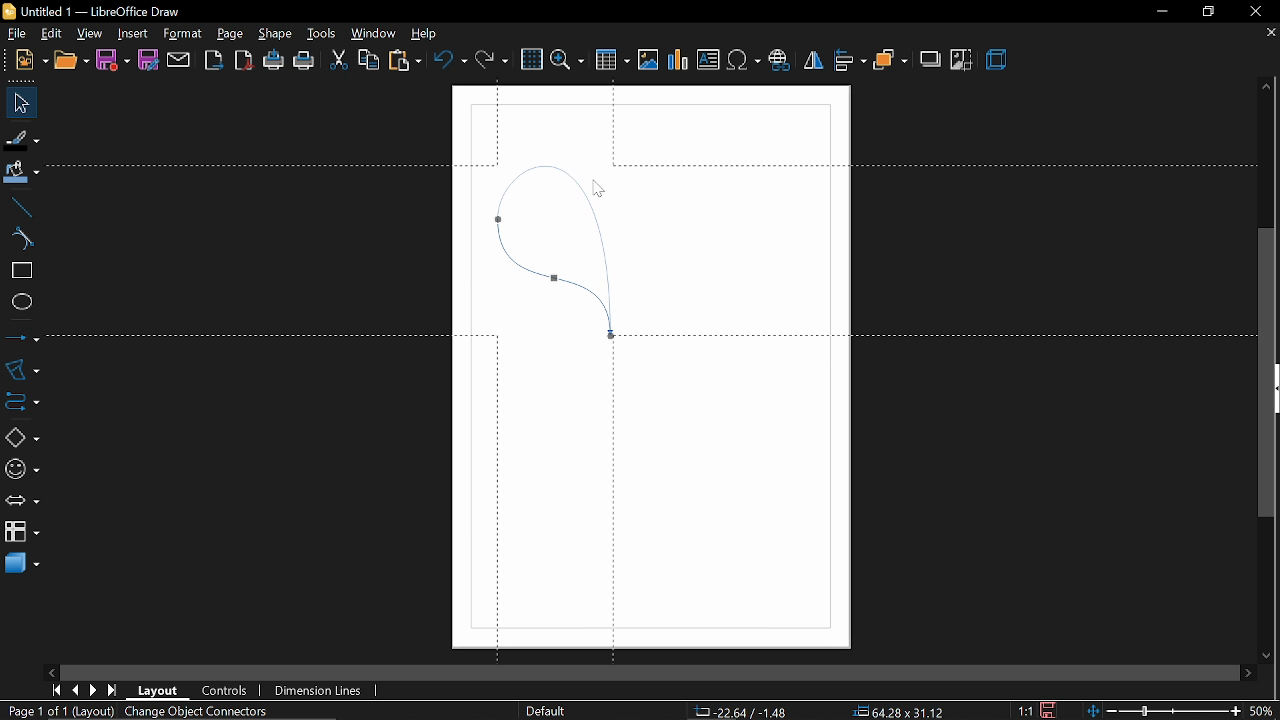  I want to click on save as, so click(147, 60).